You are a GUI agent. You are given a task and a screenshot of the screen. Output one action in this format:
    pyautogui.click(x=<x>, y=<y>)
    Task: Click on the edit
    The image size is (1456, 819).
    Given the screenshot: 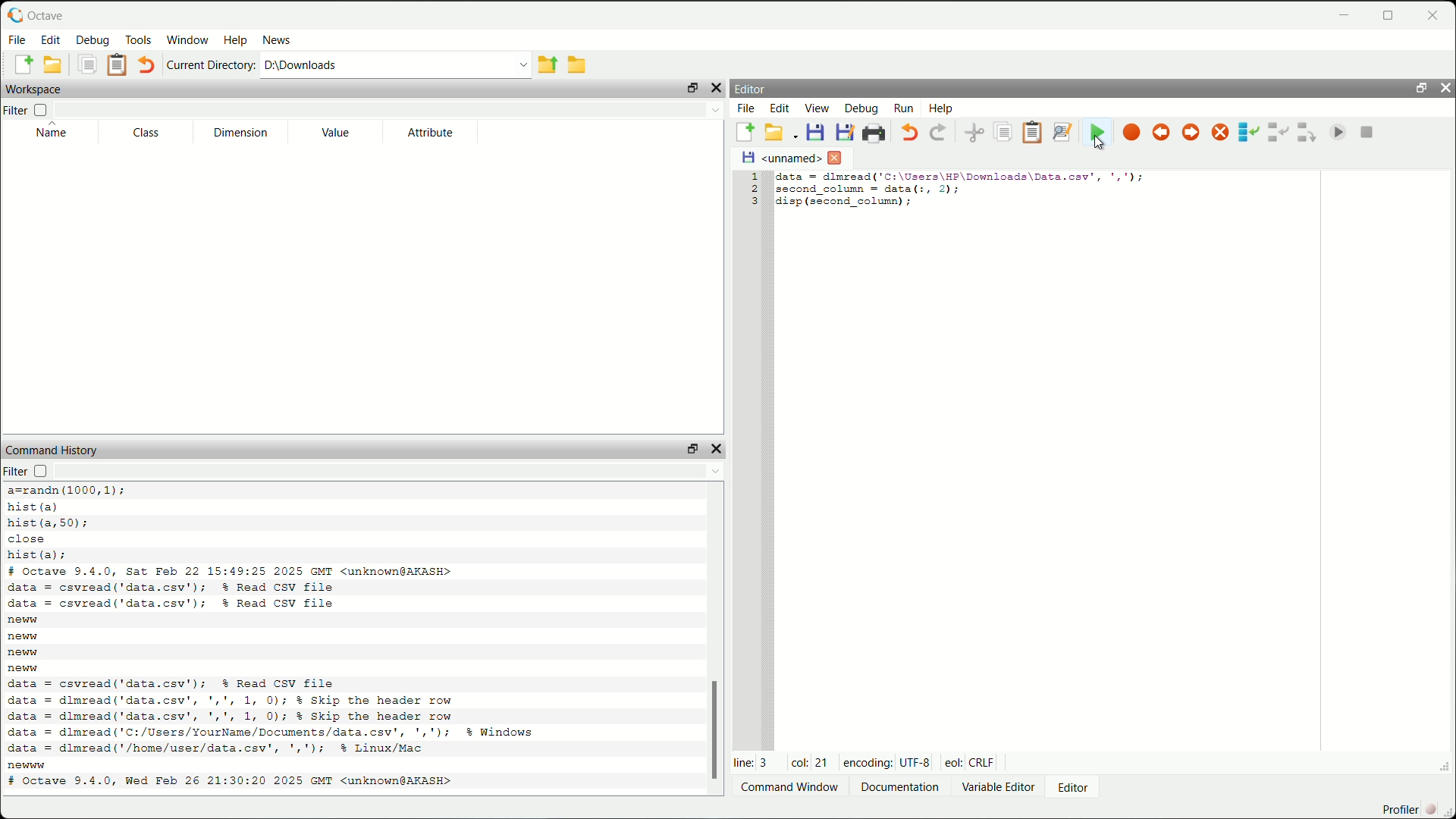 What is the action you would take?
    pyautogui.click(x=50, y=39)
    